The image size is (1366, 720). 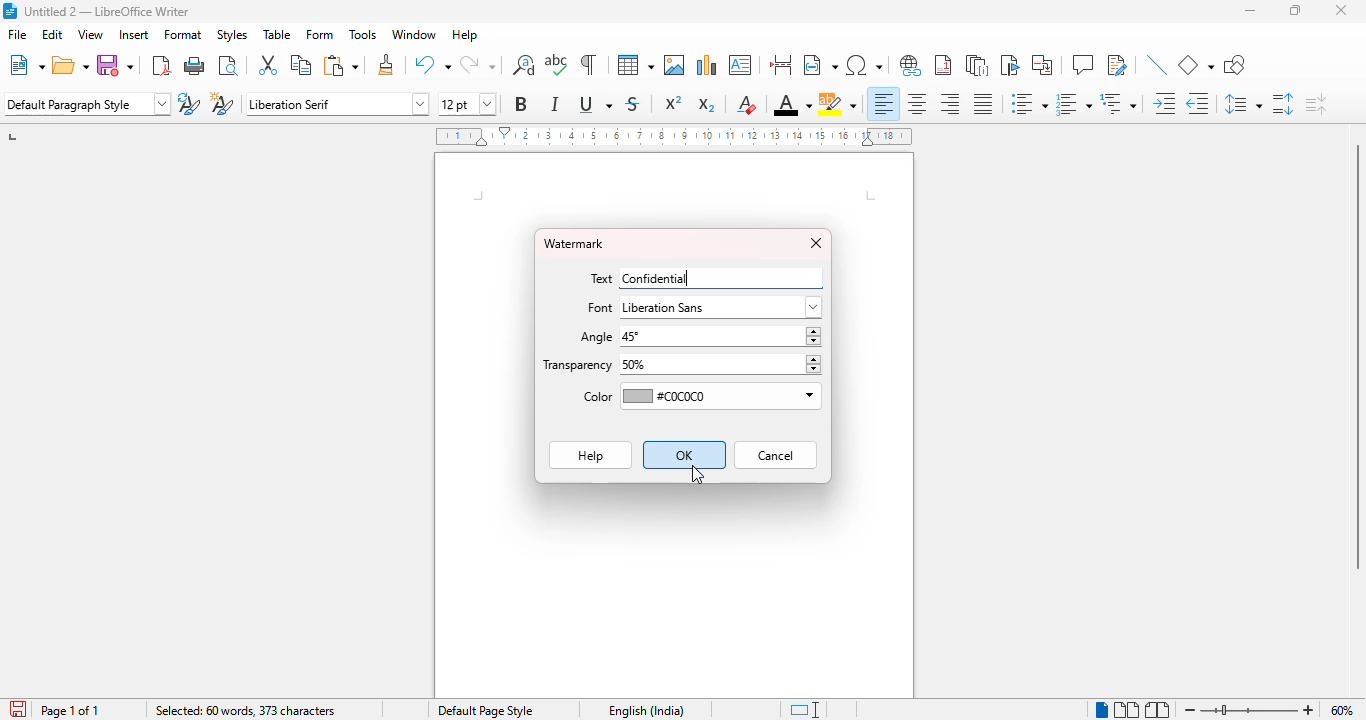 I want to click on logo, so click(x=9, y=10).